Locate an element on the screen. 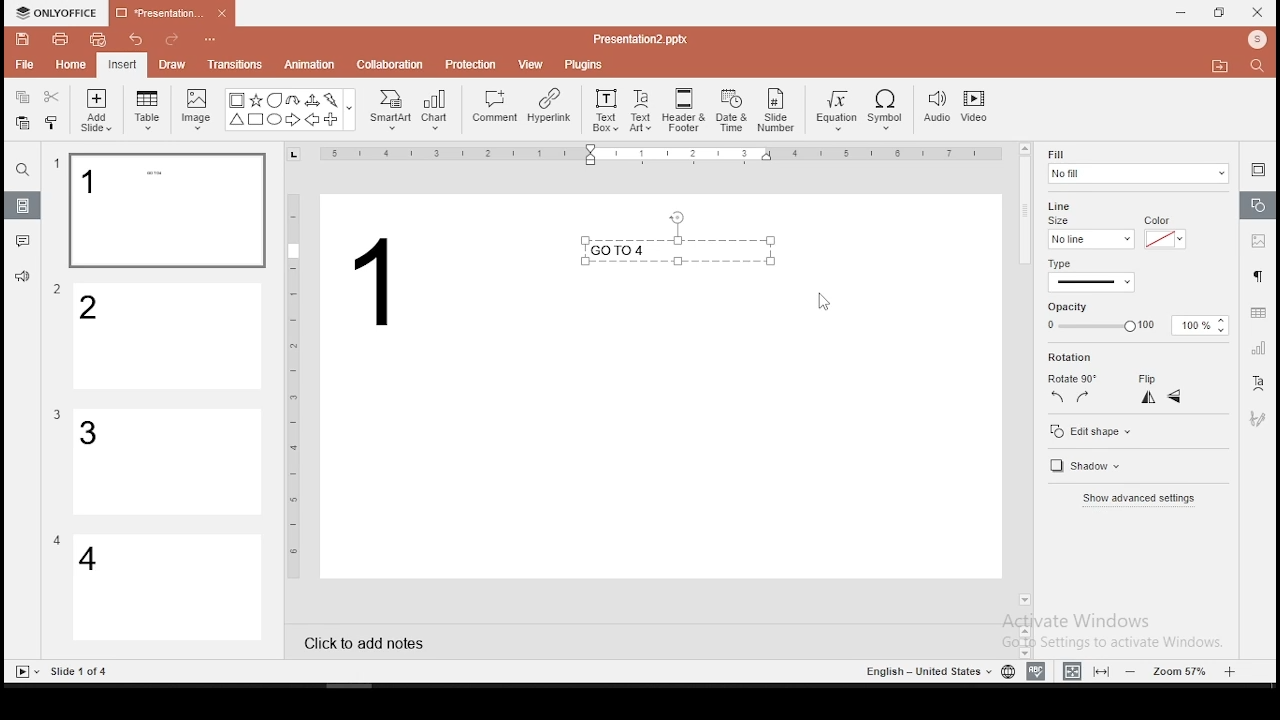 This screenshot has width=1280, height=720. Plus is located at coordinates (332, 120).